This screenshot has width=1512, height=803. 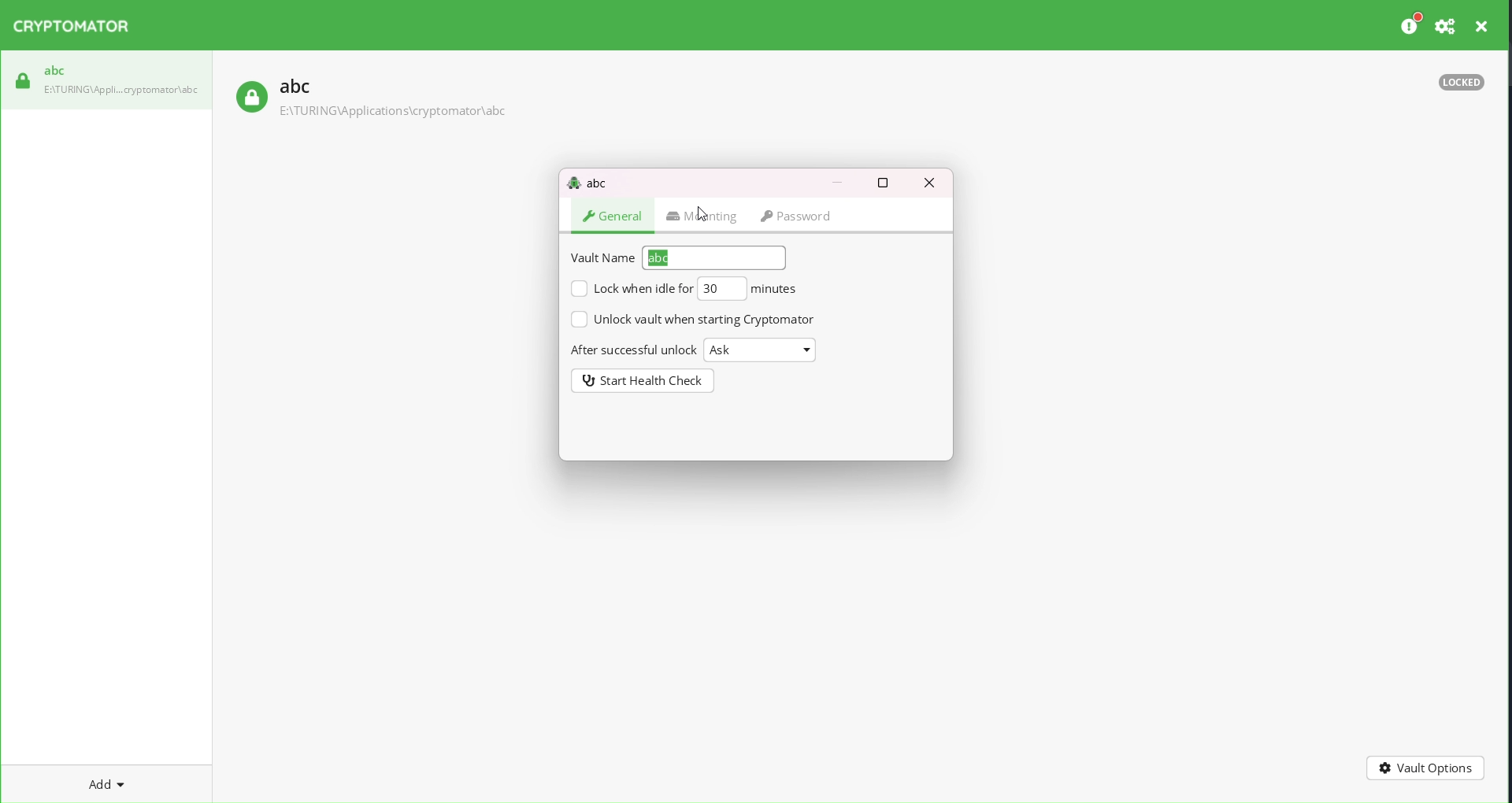 What do you see at coordinates (1443, 26) in the screenshot?
I see `setting` at bounding box center [1443, 26].